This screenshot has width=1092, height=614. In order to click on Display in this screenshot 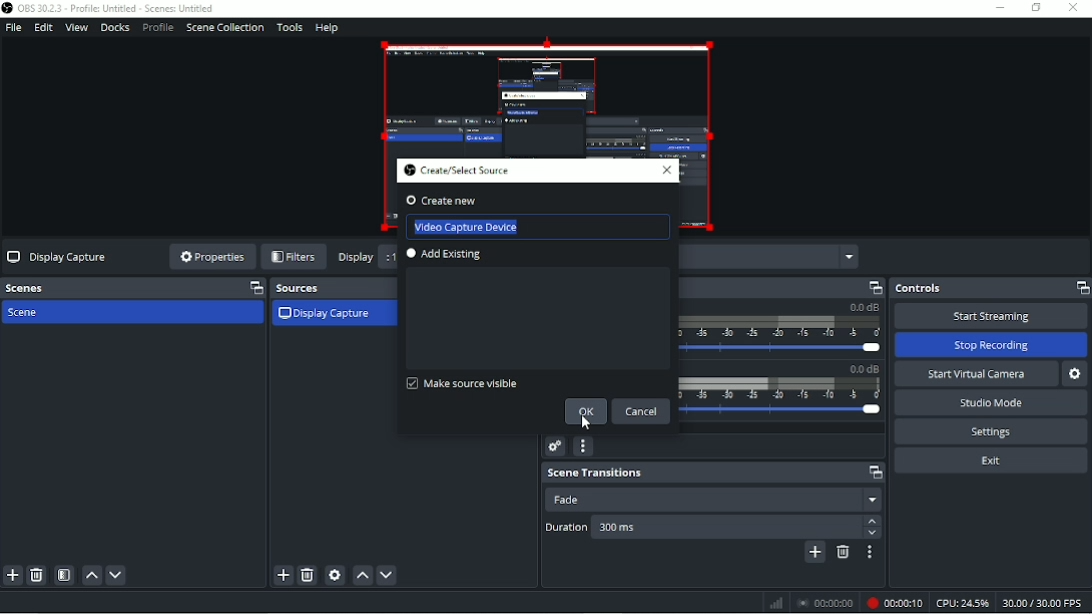, I will do `click(356, 258)`.